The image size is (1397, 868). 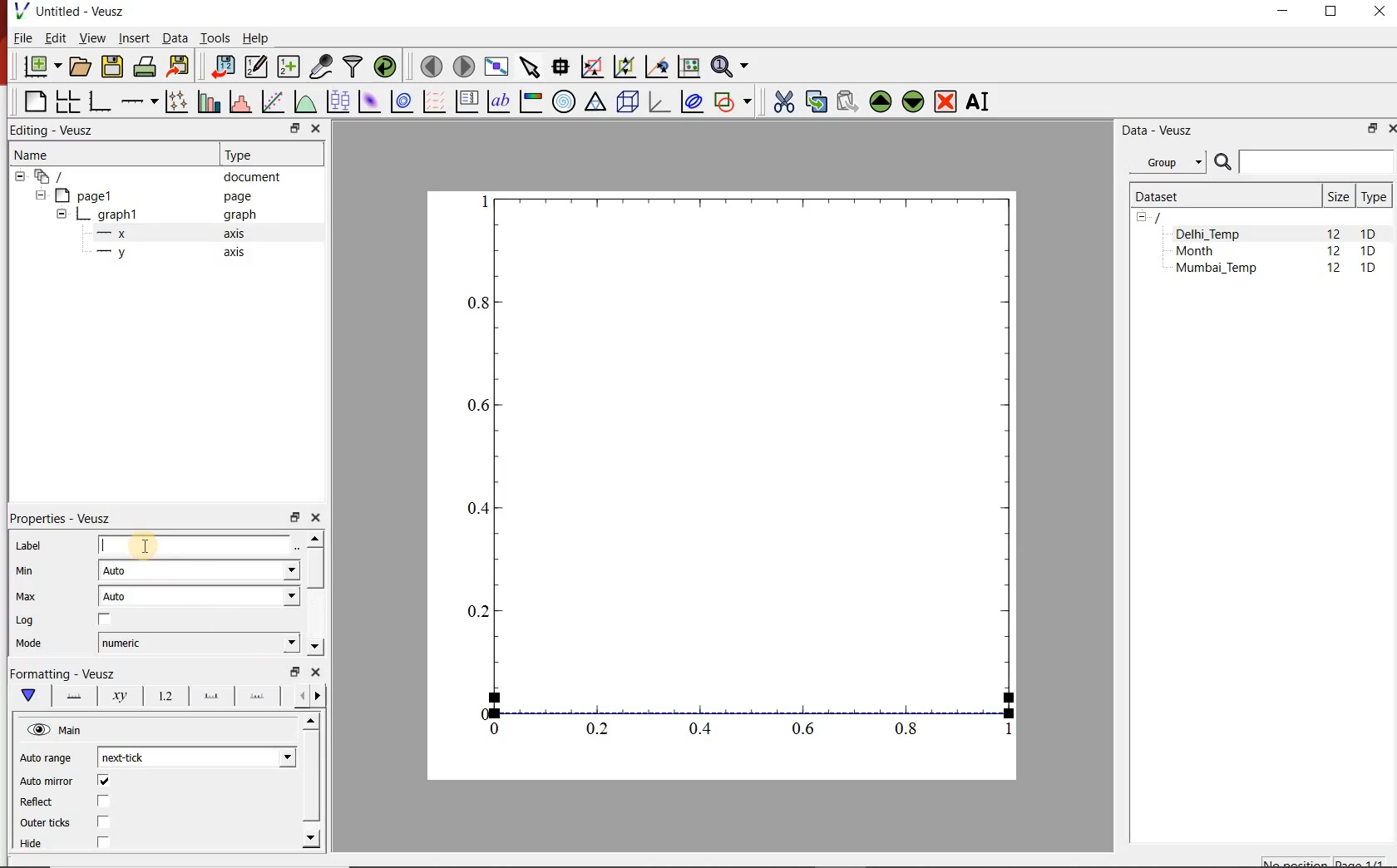 What do you see at coordinates (1333, 233) in the screenshot?
I see `12` at bounding box center [1333, 233].